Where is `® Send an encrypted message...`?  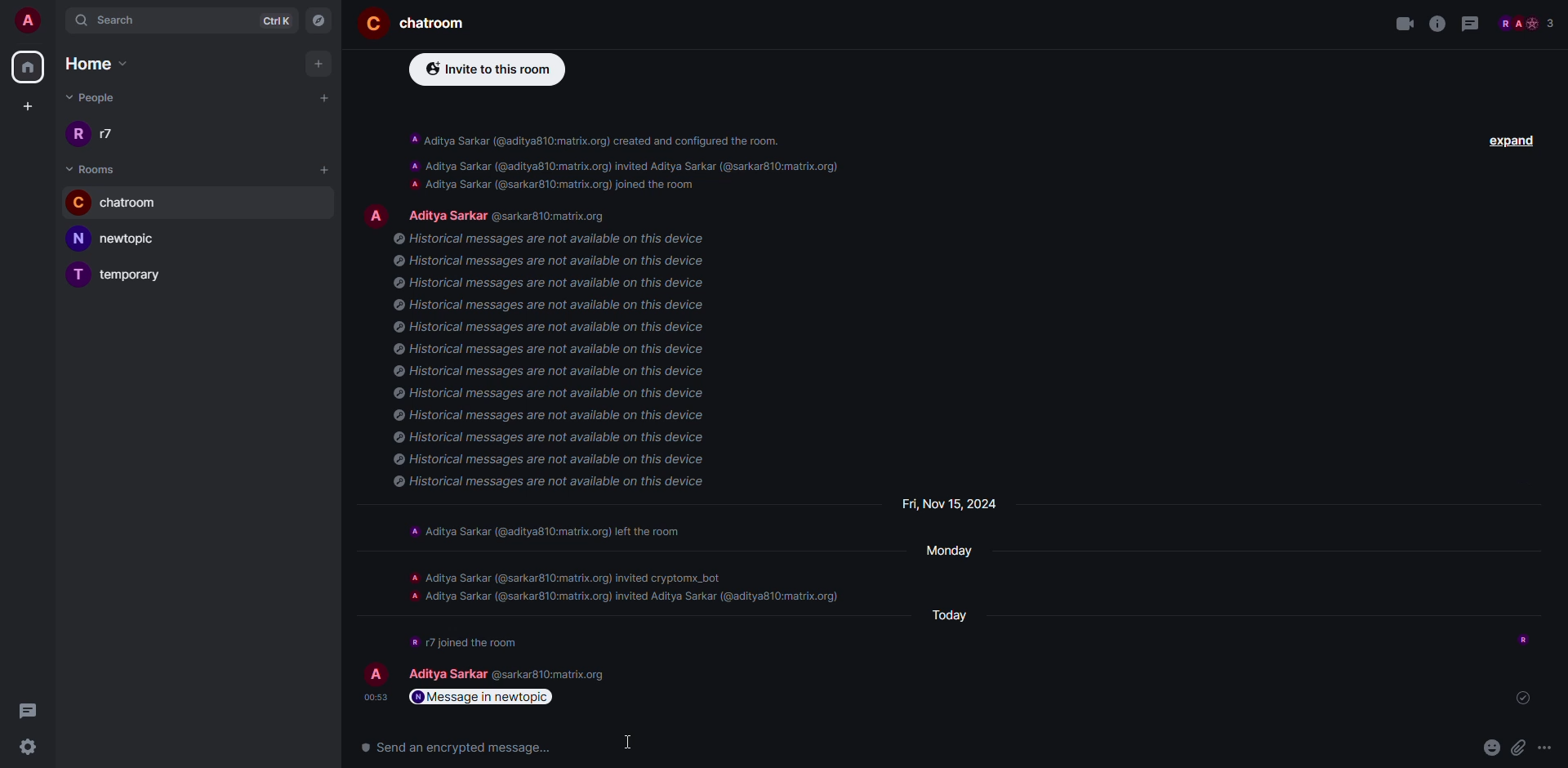
® Send an encrypted message... is located at coordinates (448, 748).